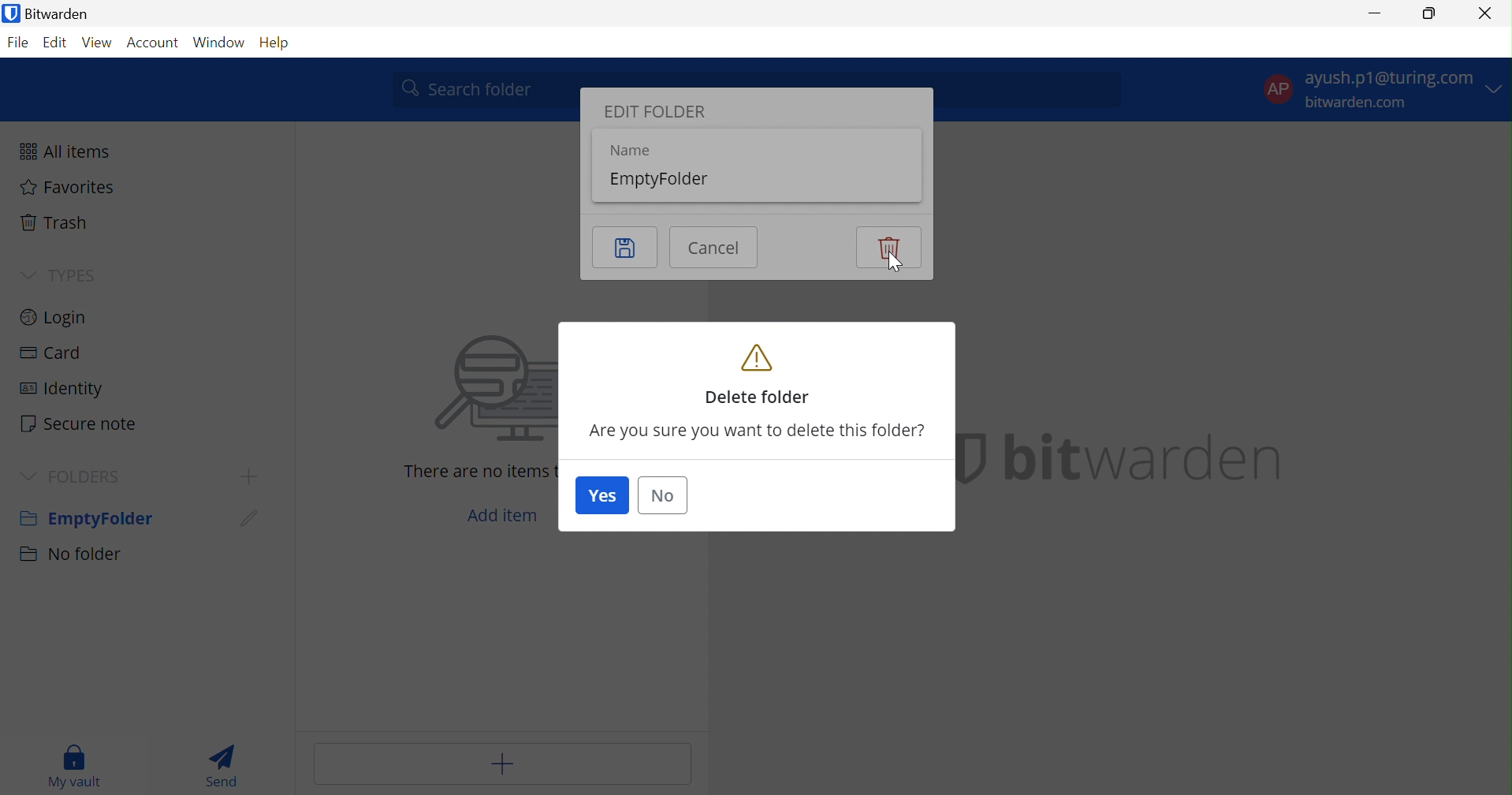  What do you see at coordinates (506, 763) in the screenshot?
I see `Add item` at bounding box center [506, 763].